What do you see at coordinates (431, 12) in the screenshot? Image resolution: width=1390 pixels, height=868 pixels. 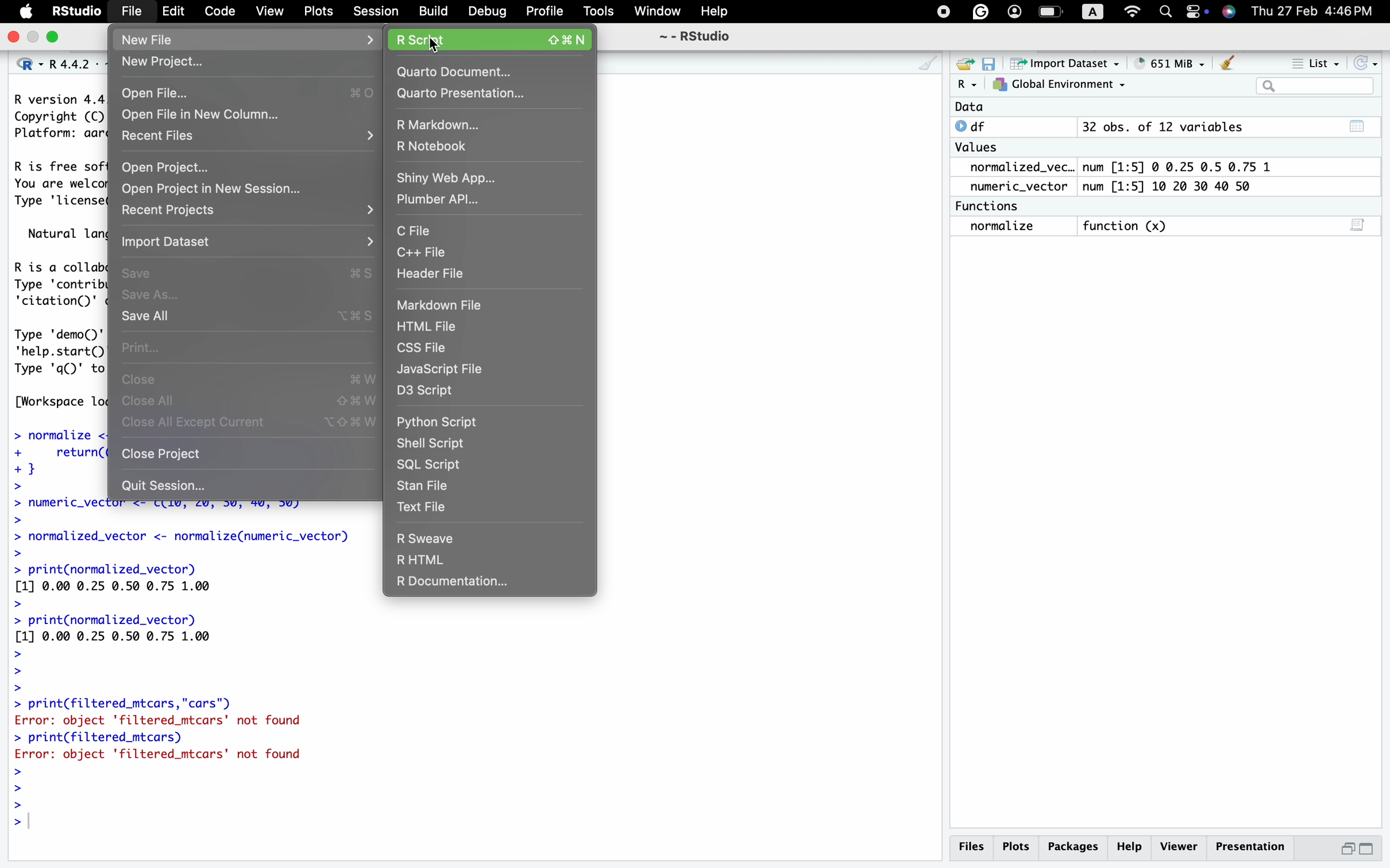 I see `Build` at bounding box center [431, 12].